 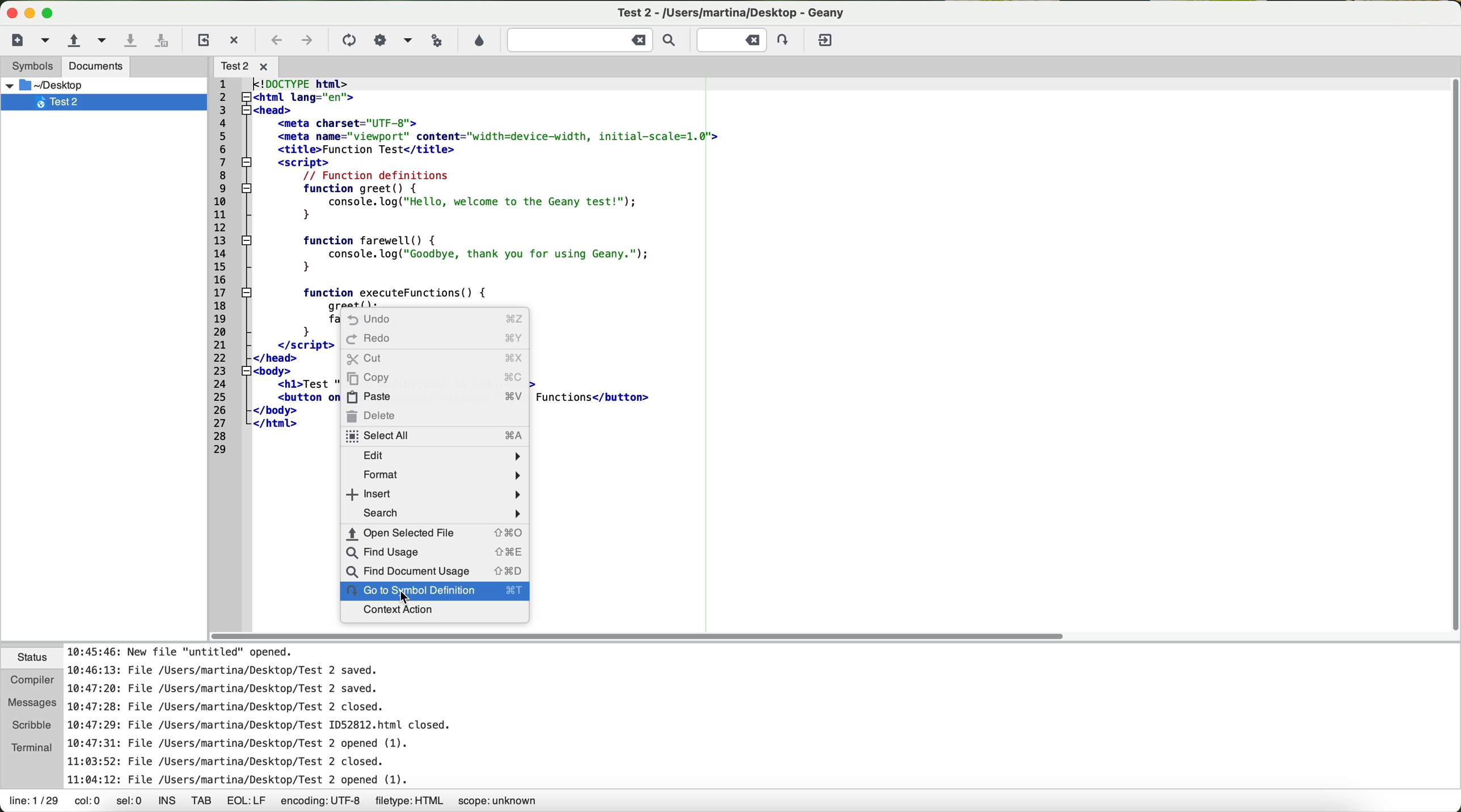 I want to click on close program, so click(x=9, y=11).